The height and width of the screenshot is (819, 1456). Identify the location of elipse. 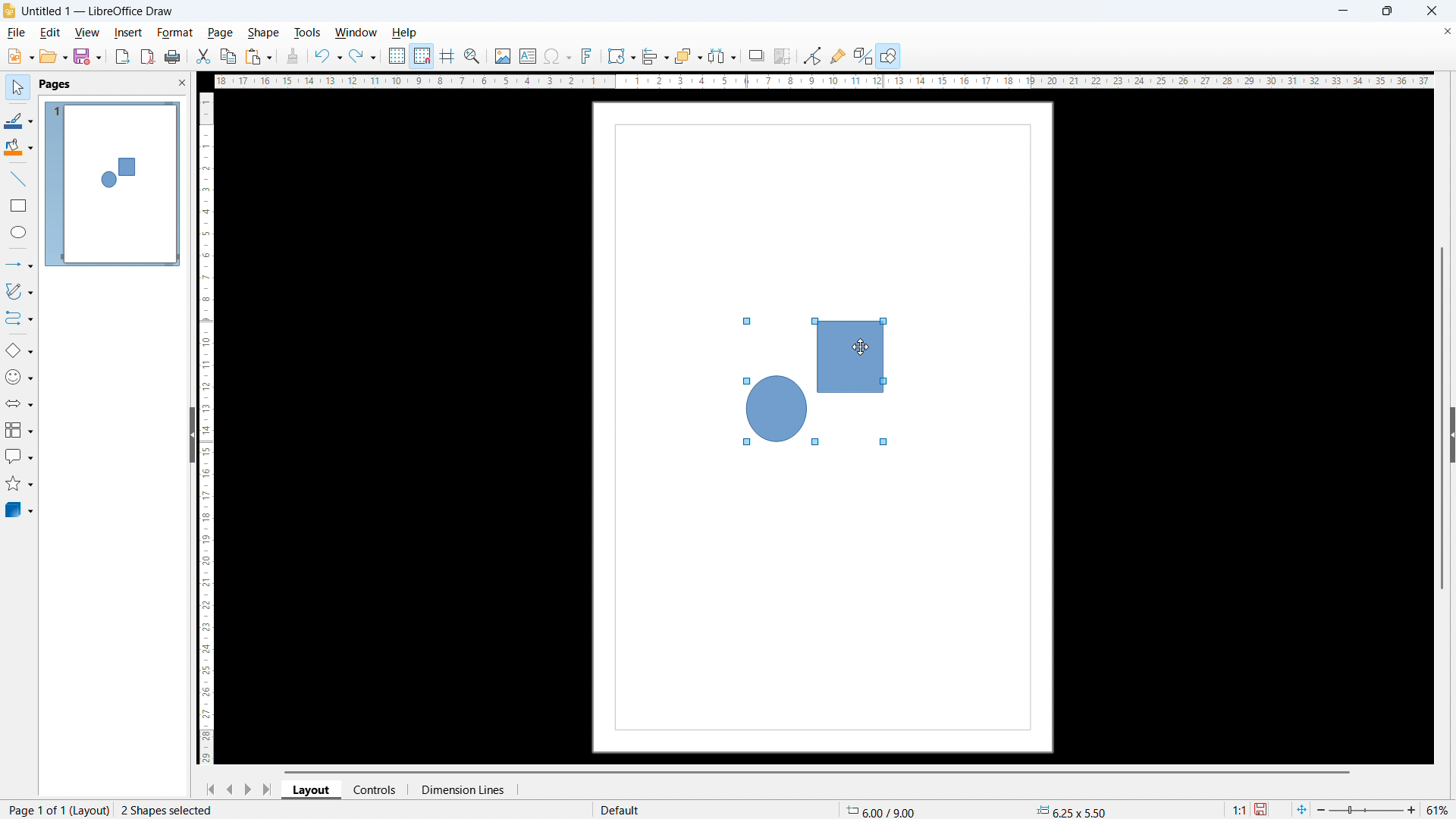
(20, 231).